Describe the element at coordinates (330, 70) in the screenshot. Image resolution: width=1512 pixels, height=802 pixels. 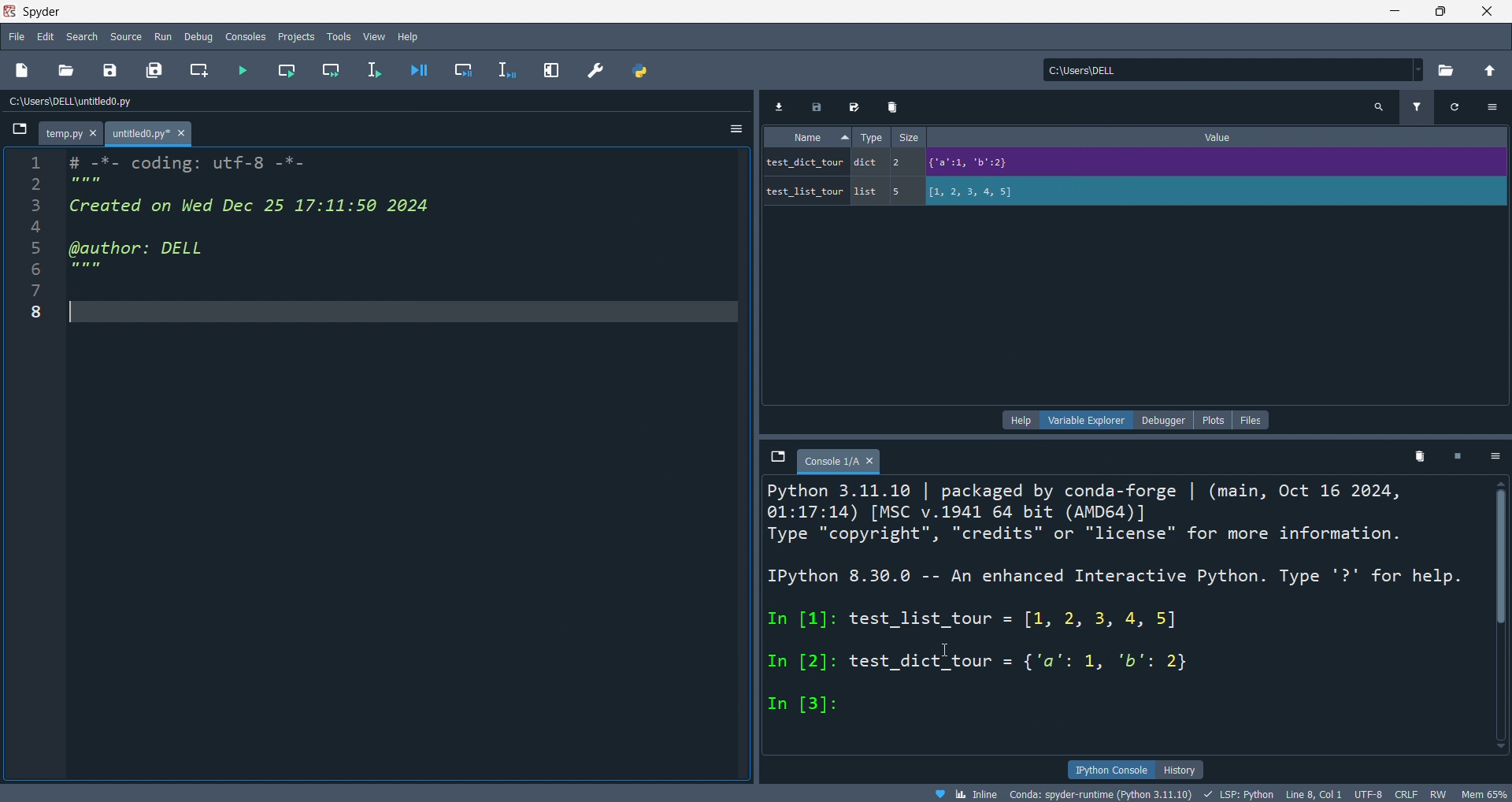
I see `run cell and move` at that location.